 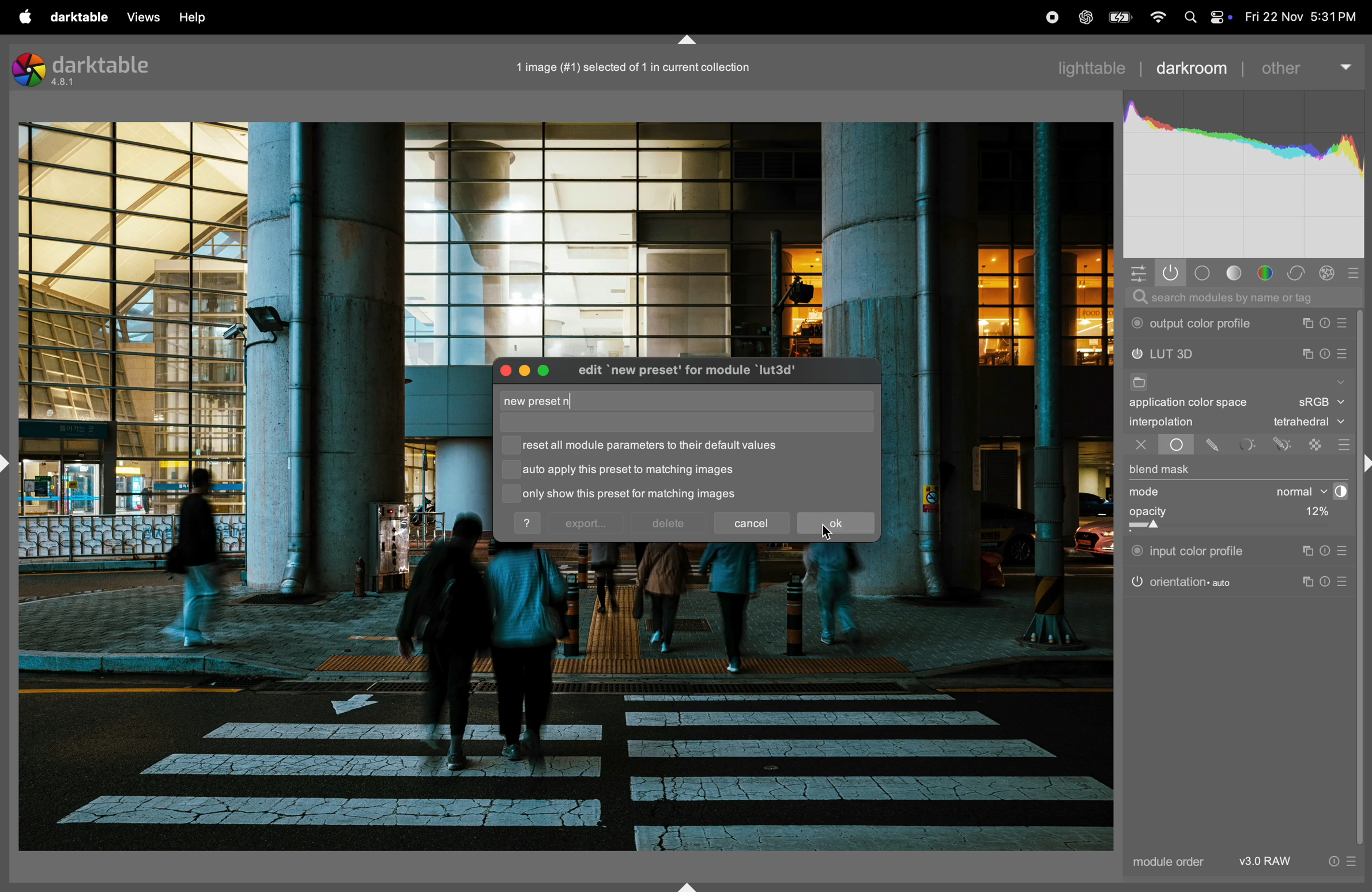 What do you see at coordinates (508, 493) in the screenshot?
I see `checkbox` at bounding box center [508, 493].